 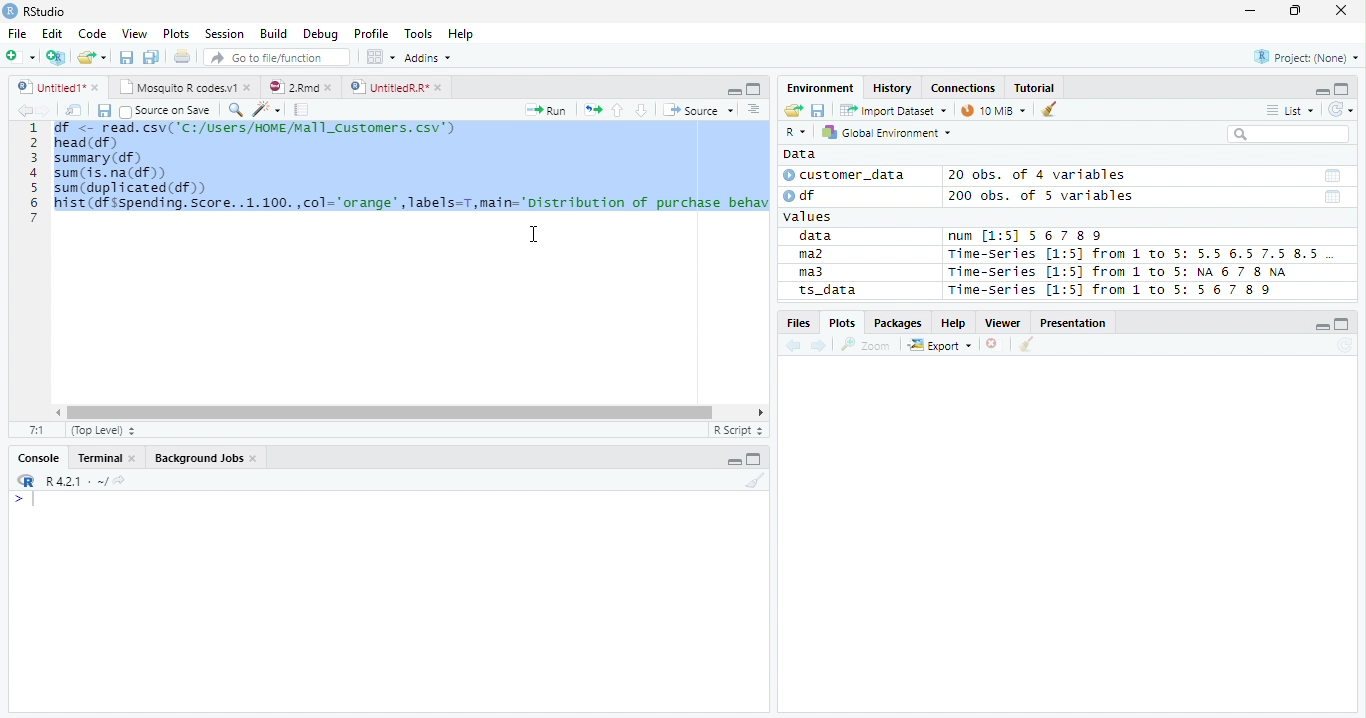 I want to click on Run, so click(x=548, y=111).